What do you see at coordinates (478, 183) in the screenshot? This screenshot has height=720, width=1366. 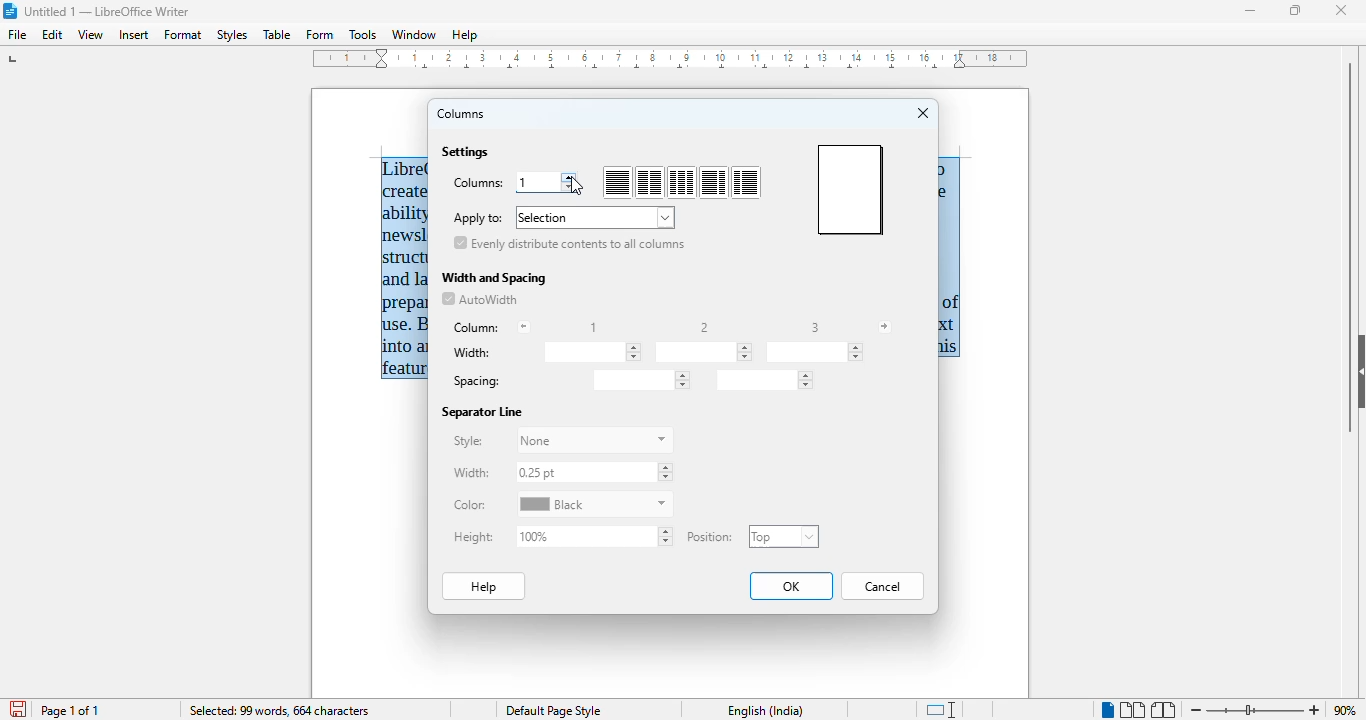 I see `columns: ` at bounding box center [478, 183].